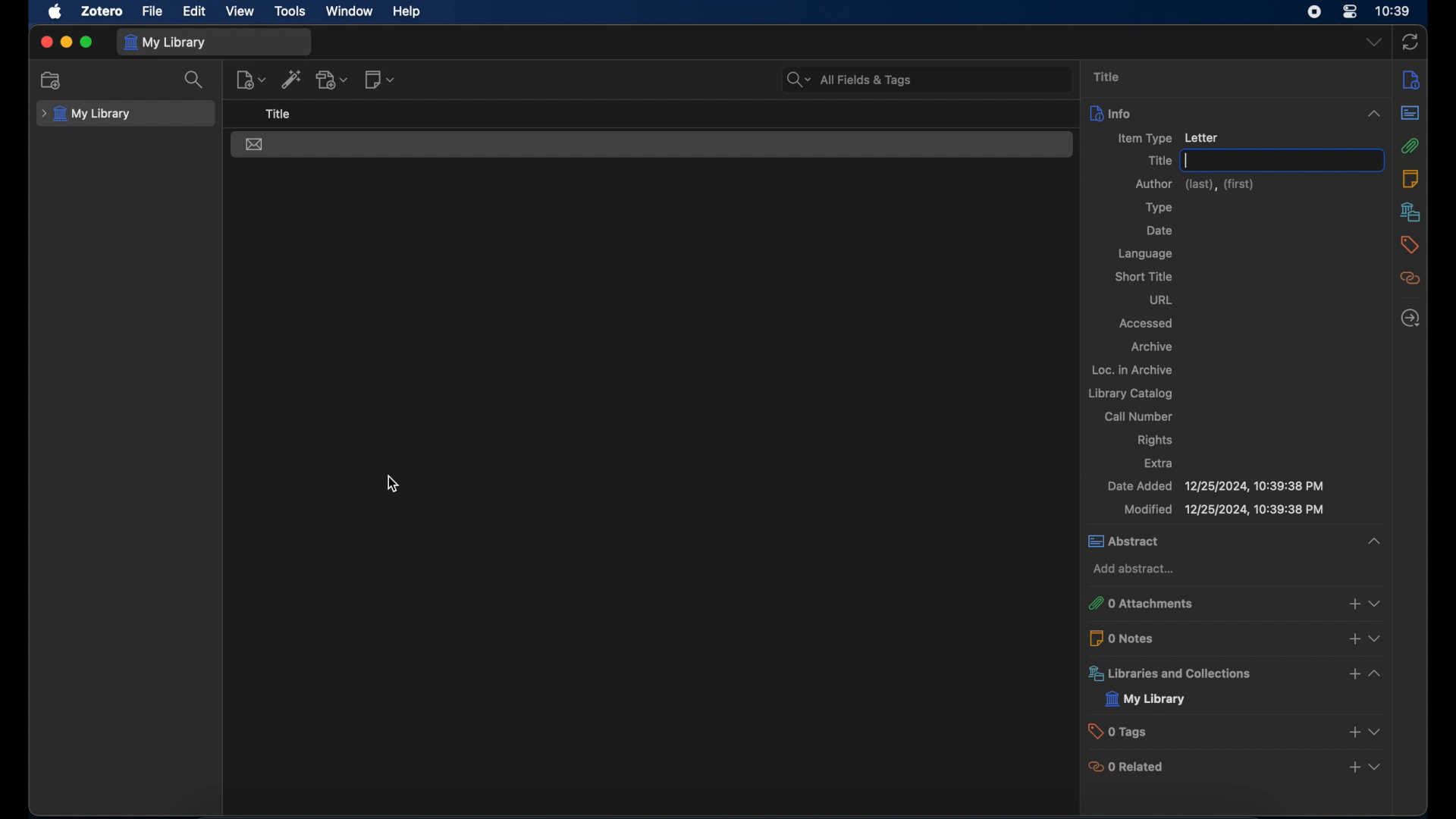  What do you see at coordinates (1128, 544) in the screenshot?
I see `abstract` at bounding box center [1128, 544].